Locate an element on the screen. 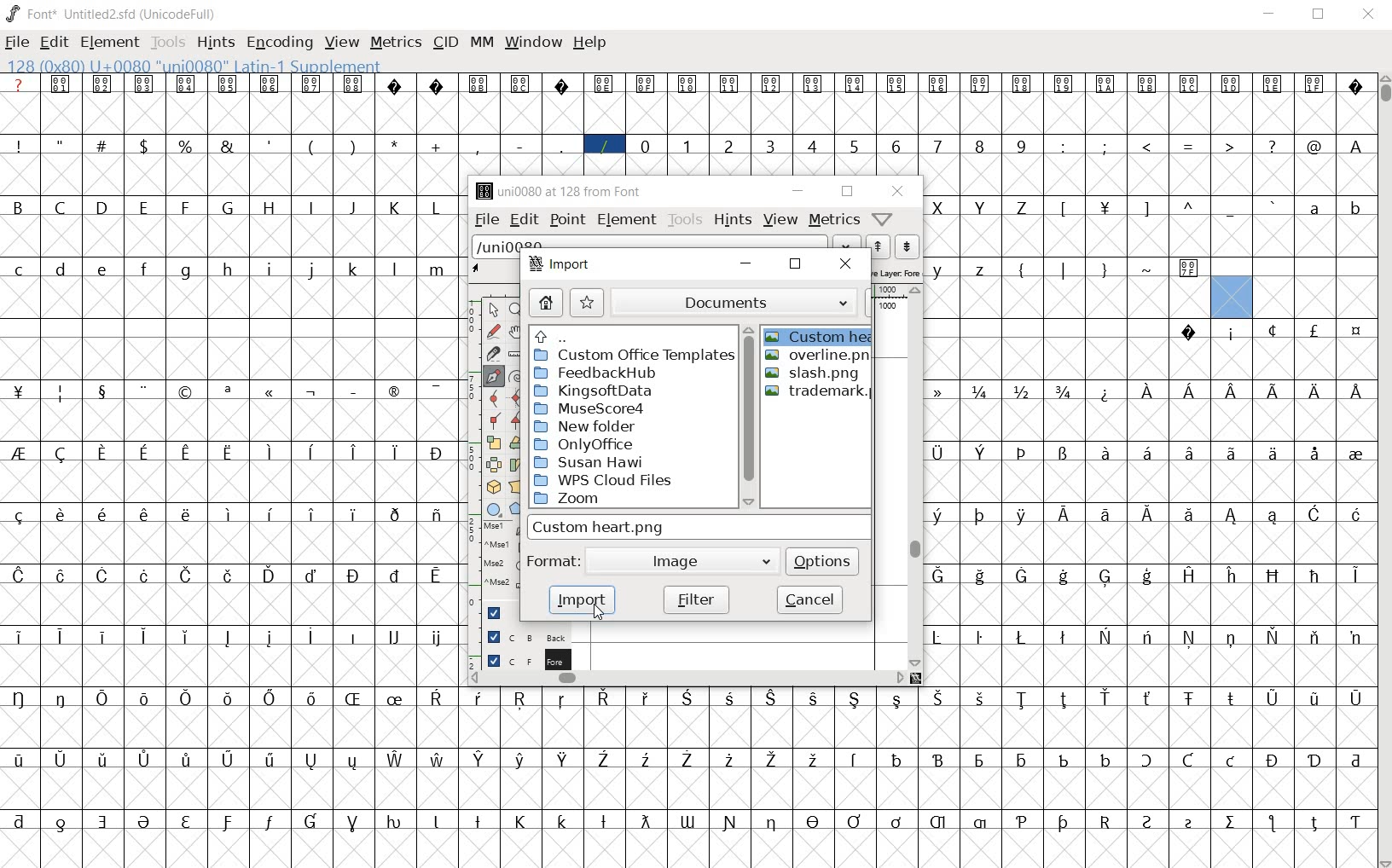  glyph is located at coordinates (1190, 575).